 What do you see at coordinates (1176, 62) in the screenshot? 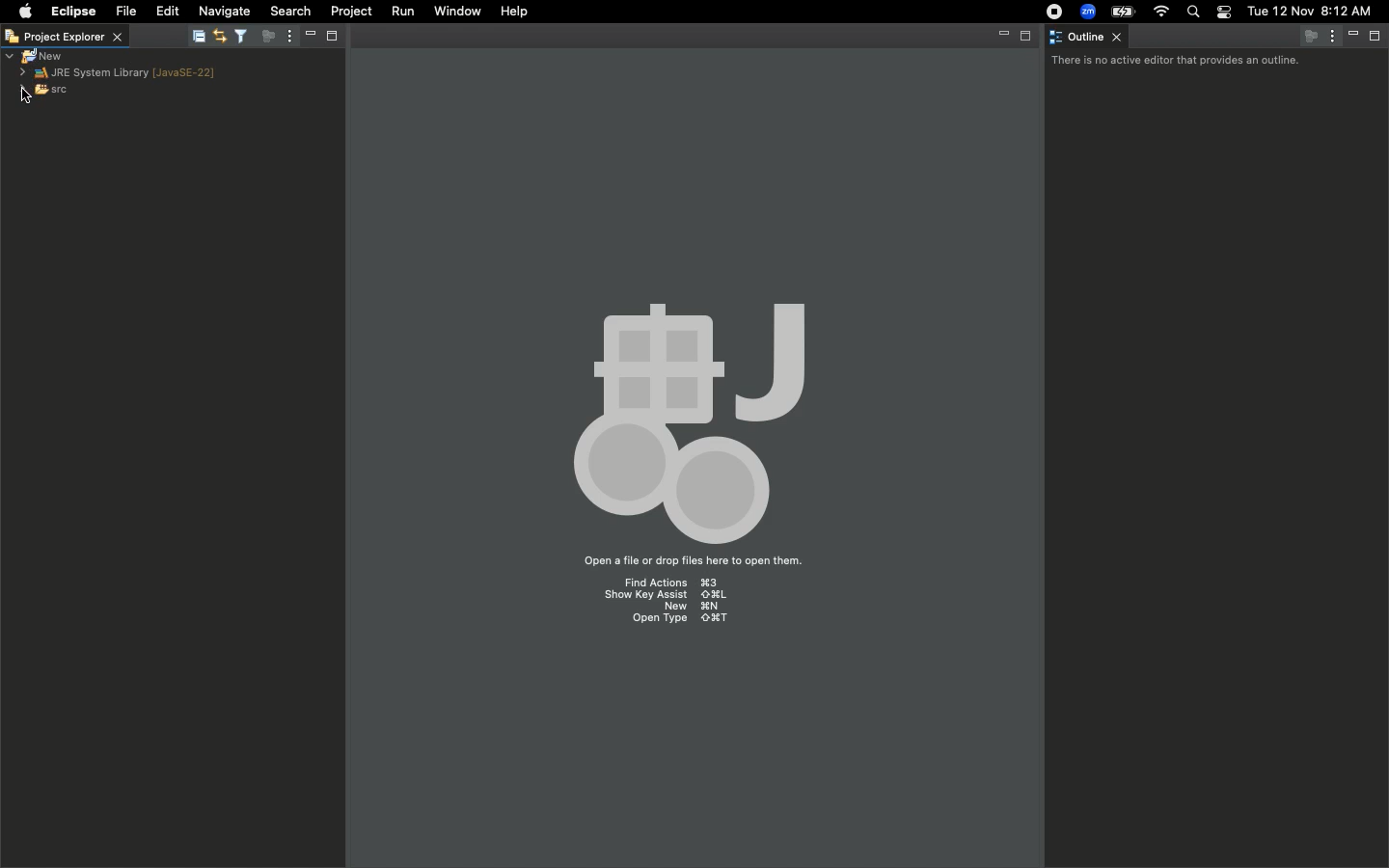
I see `There is no active editor that provides an outline` at bounding box center [1176, 62].